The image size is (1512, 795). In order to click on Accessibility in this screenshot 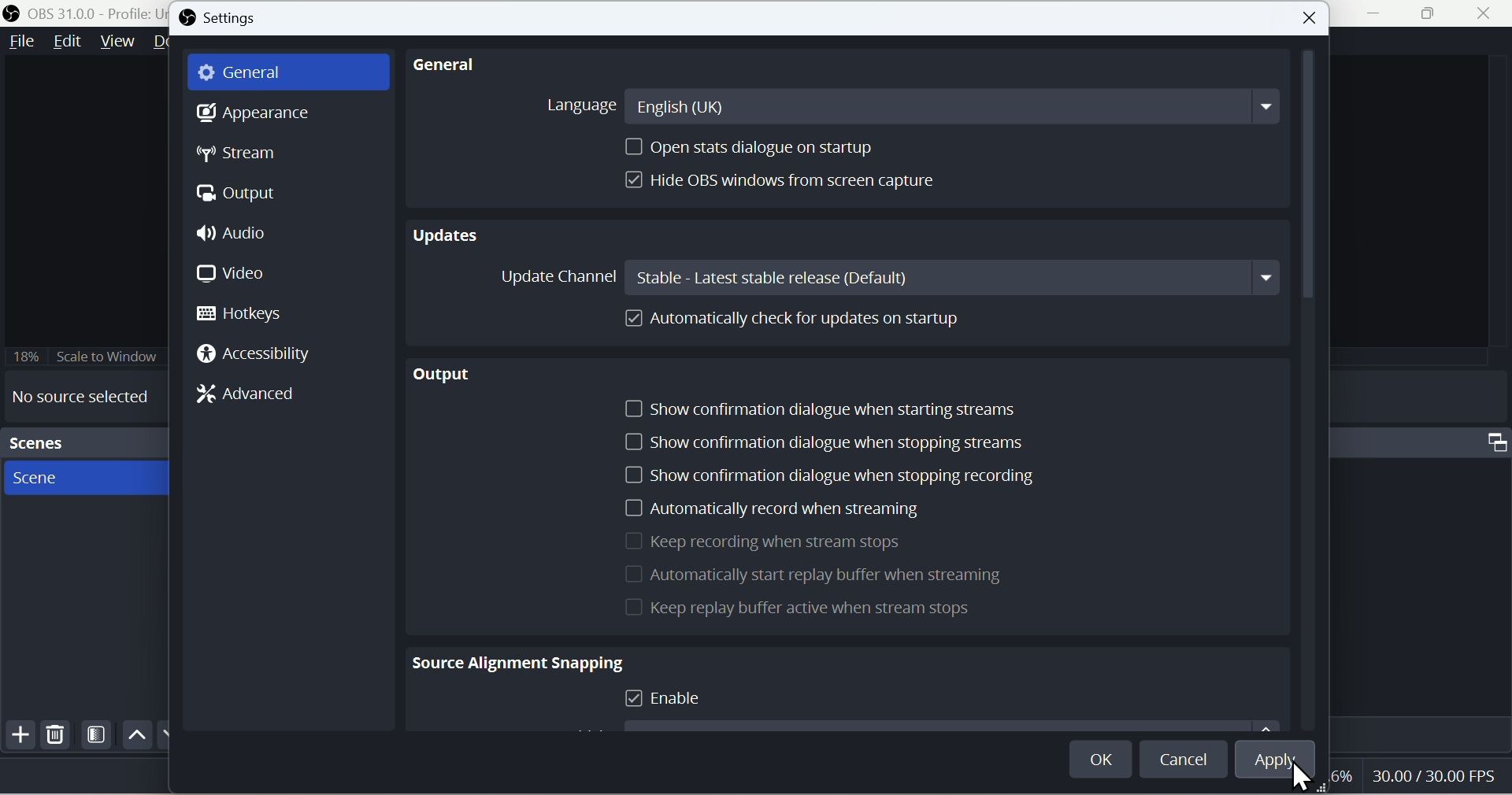, I will do `click(253, 354)`.